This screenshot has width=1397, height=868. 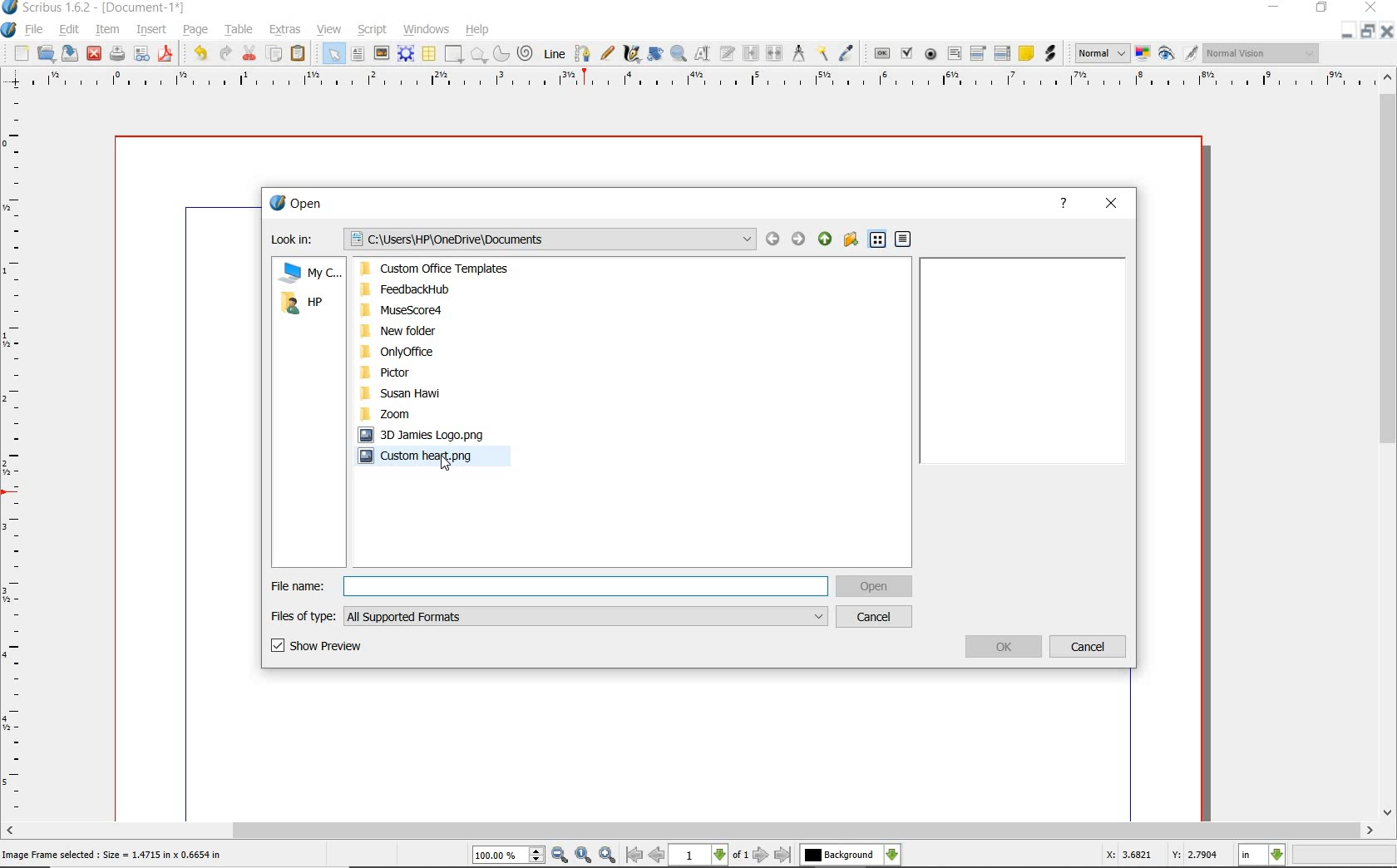 What do you see at coordinates (709, 855) in the screenshot?
I see `select current page level` at bounding box center [709, 855].